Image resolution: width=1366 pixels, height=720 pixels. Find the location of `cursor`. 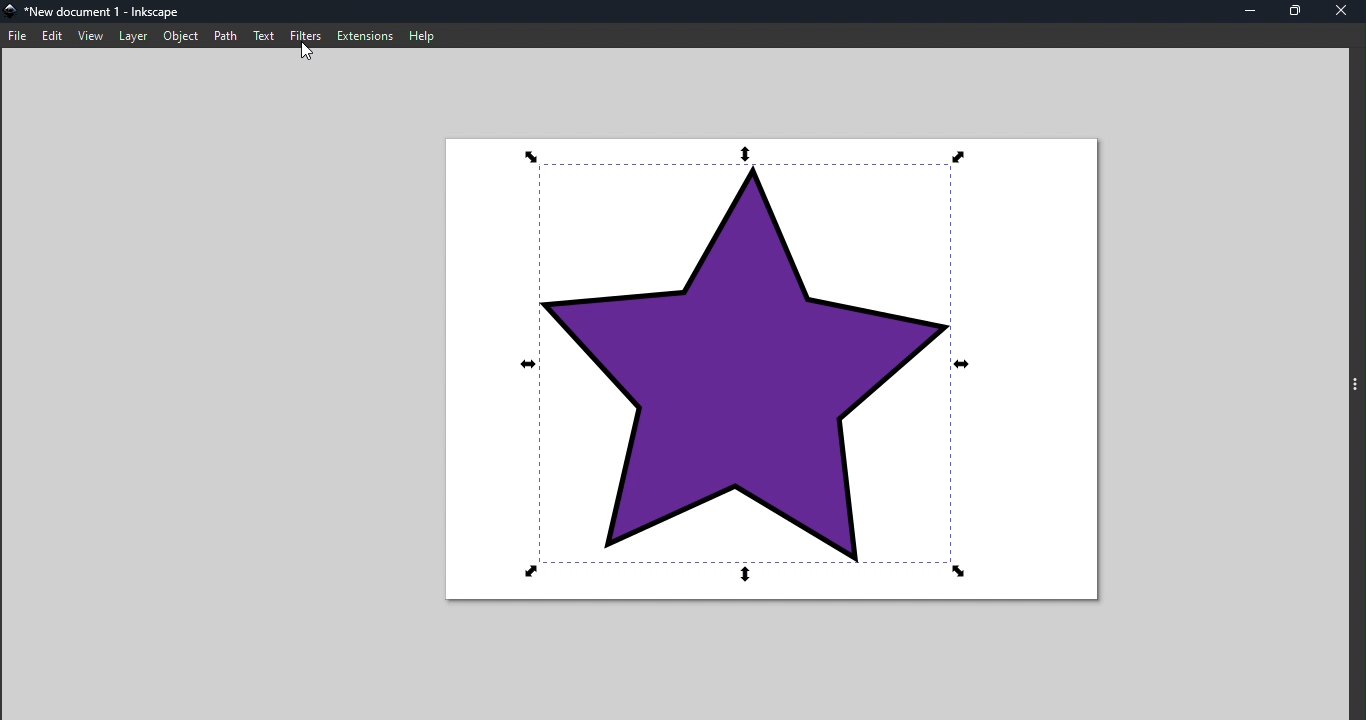

cursor is located at coordinates (308, 54).